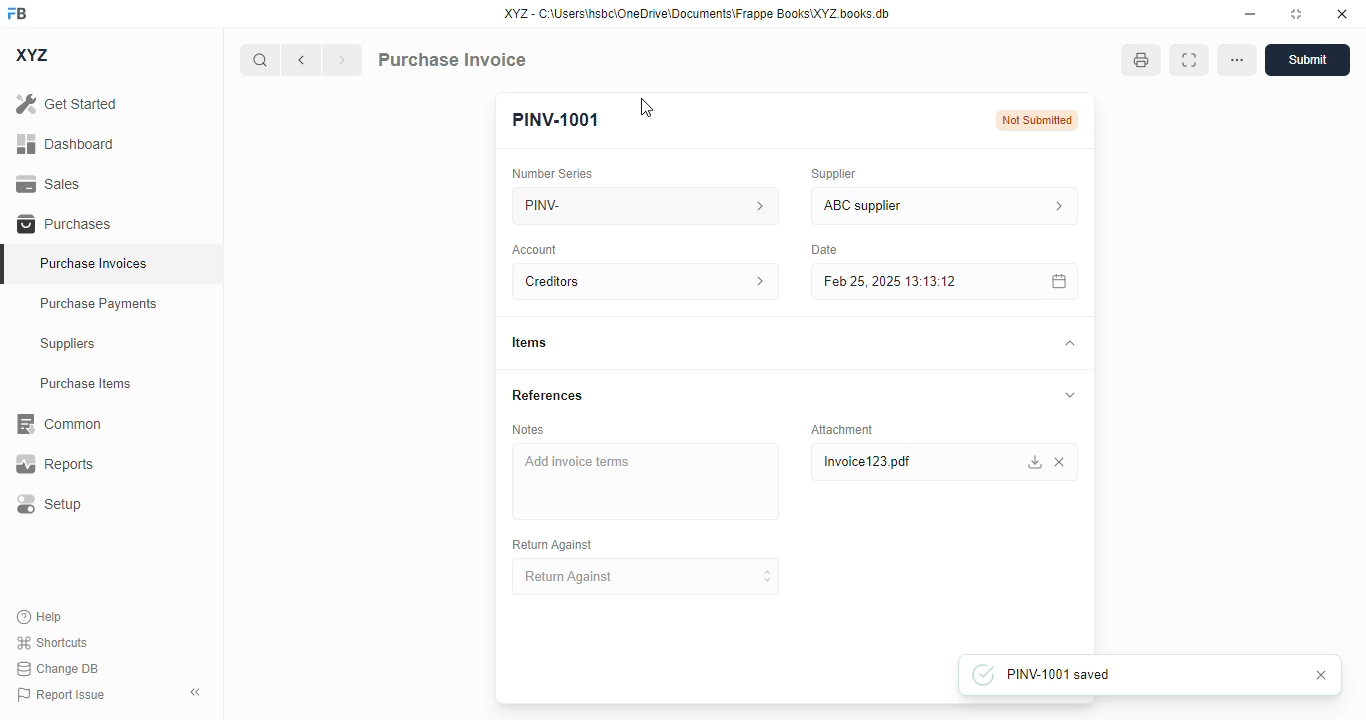 The width and height of the screenshot is (1366, 720). What do you see at coordinates (1054, 206) in the screenshot?
I see `supplier information` at bounding box center [1054, 206].